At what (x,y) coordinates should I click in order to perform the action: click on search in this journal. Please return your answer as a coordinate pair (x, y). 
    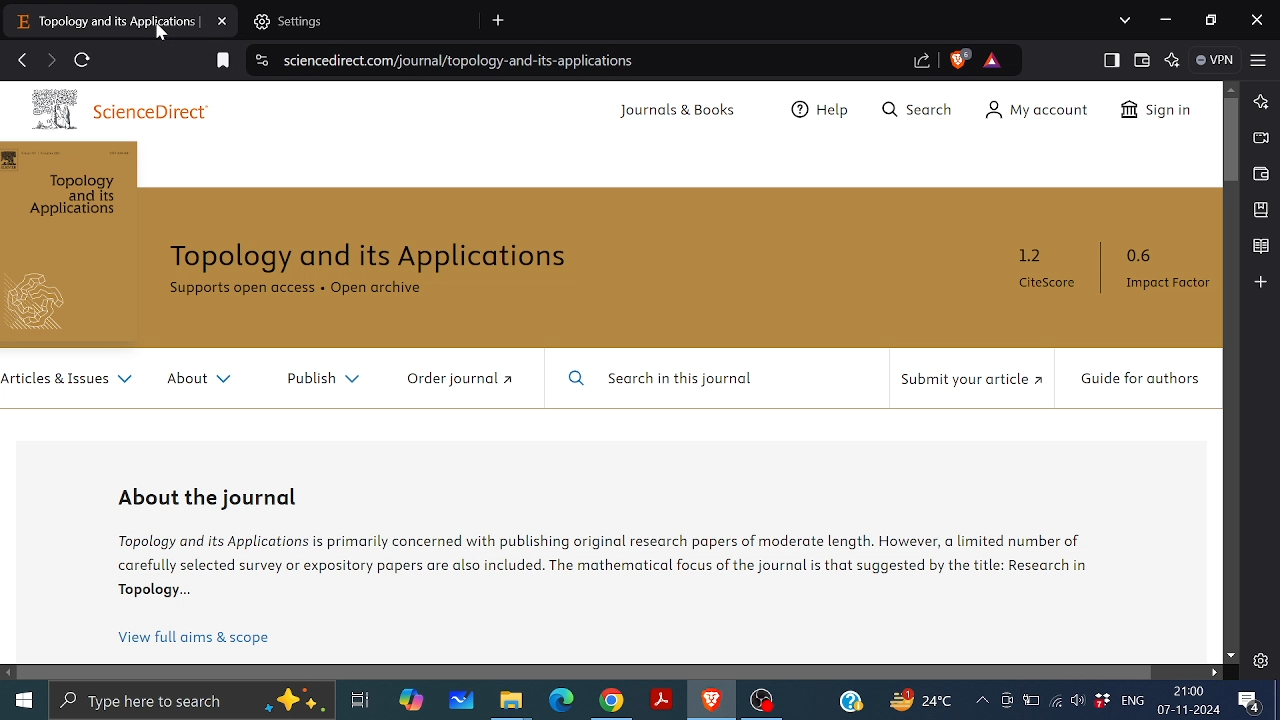
    Looking at the image, I should click on (689, 379).